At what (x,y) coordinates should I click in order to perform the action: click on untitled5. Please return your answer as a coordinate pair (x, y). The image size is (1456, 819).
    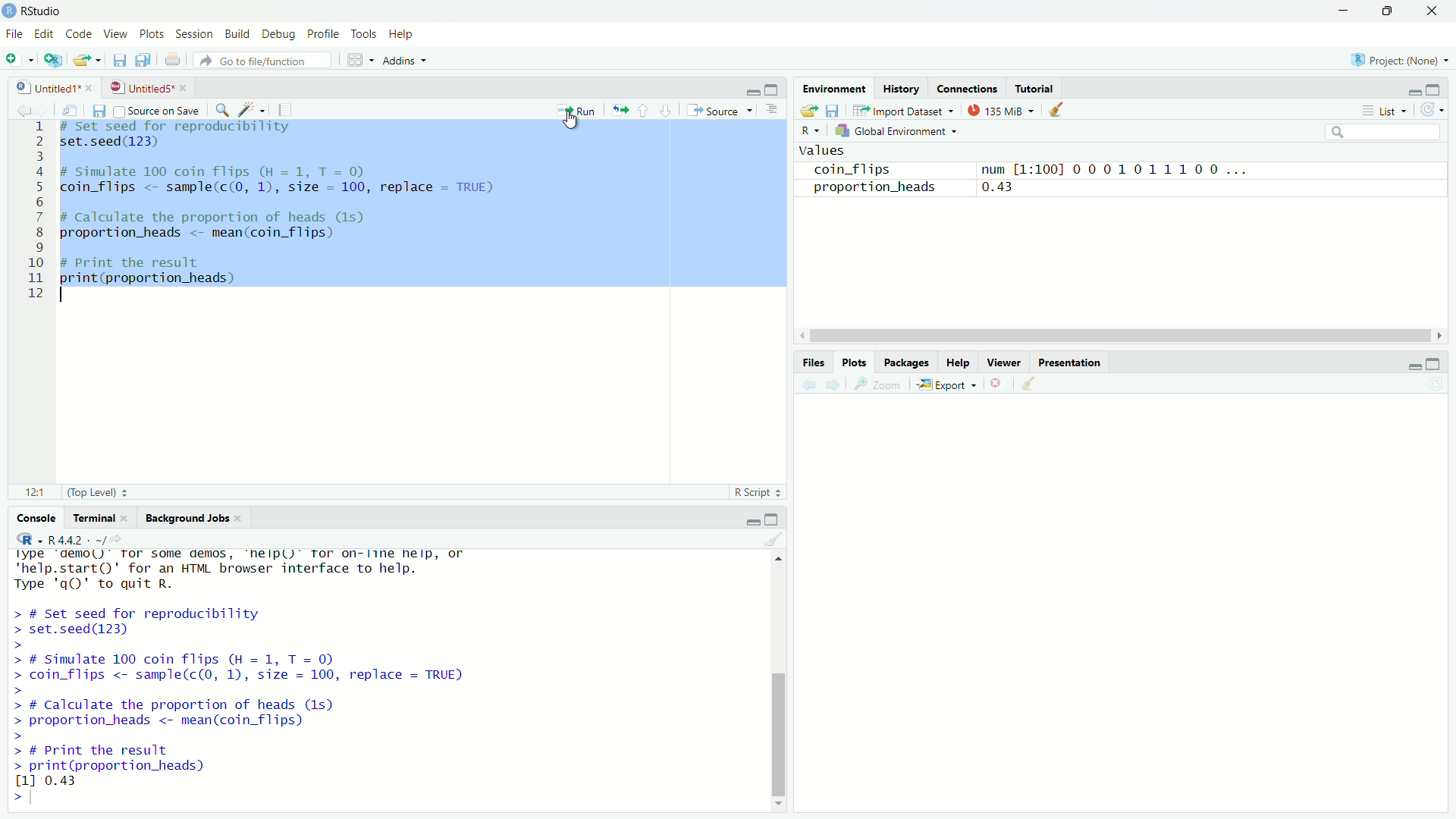
    Looking at the image, I should click on (139, 87).